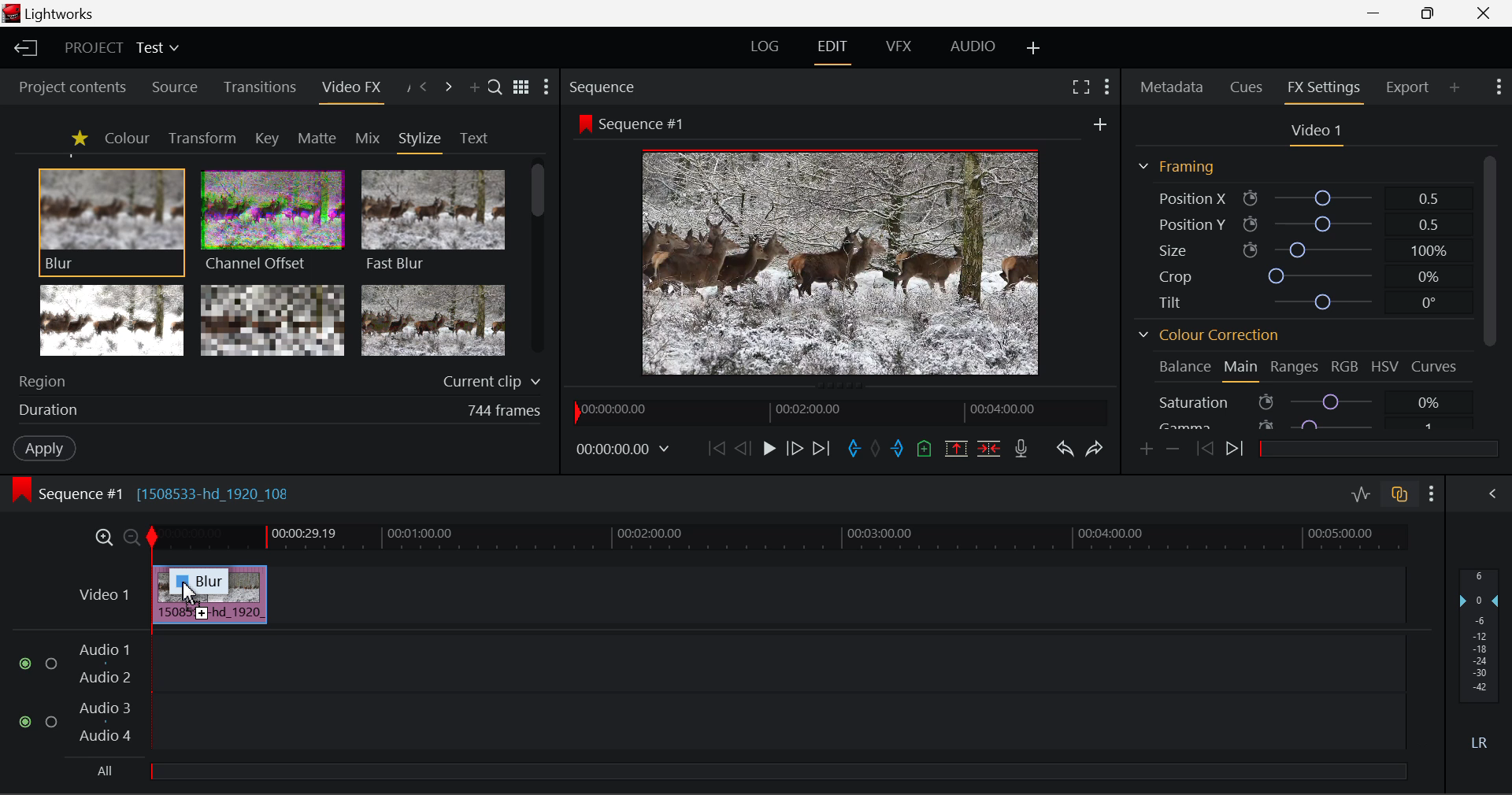 This screenshot has height=795, width=1512. Describe the element at coordinates (836, 412) in the screenshot. I see `Project Timeline Navigator` at that location.